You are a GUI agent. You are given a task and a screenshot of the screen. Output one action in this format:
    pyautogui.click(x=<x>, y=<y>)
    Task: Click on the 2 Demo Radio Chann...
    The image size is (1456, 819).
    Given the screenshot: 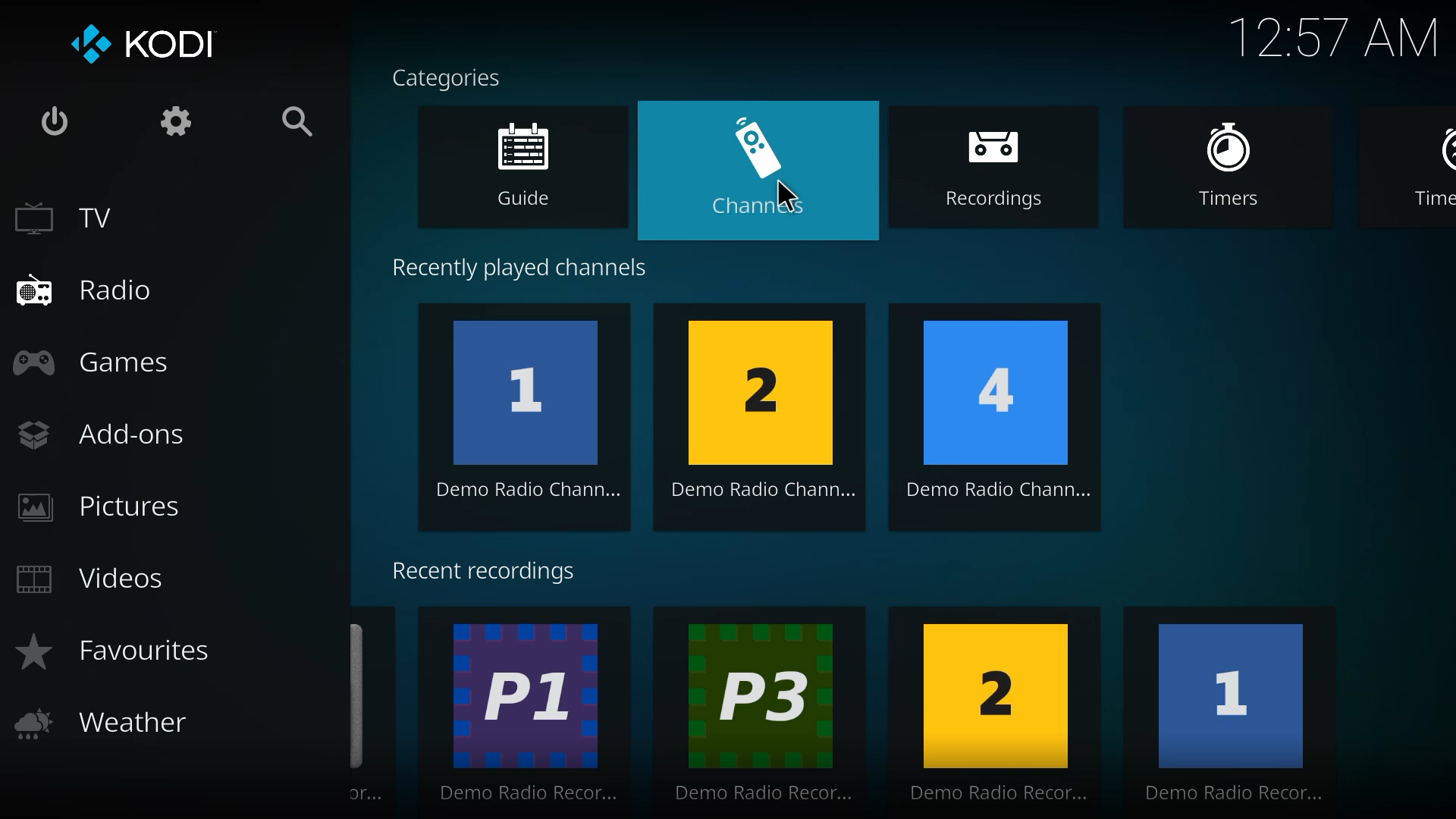 What is the action you would take?
    pyautogui.click(x=767, y=418)
    